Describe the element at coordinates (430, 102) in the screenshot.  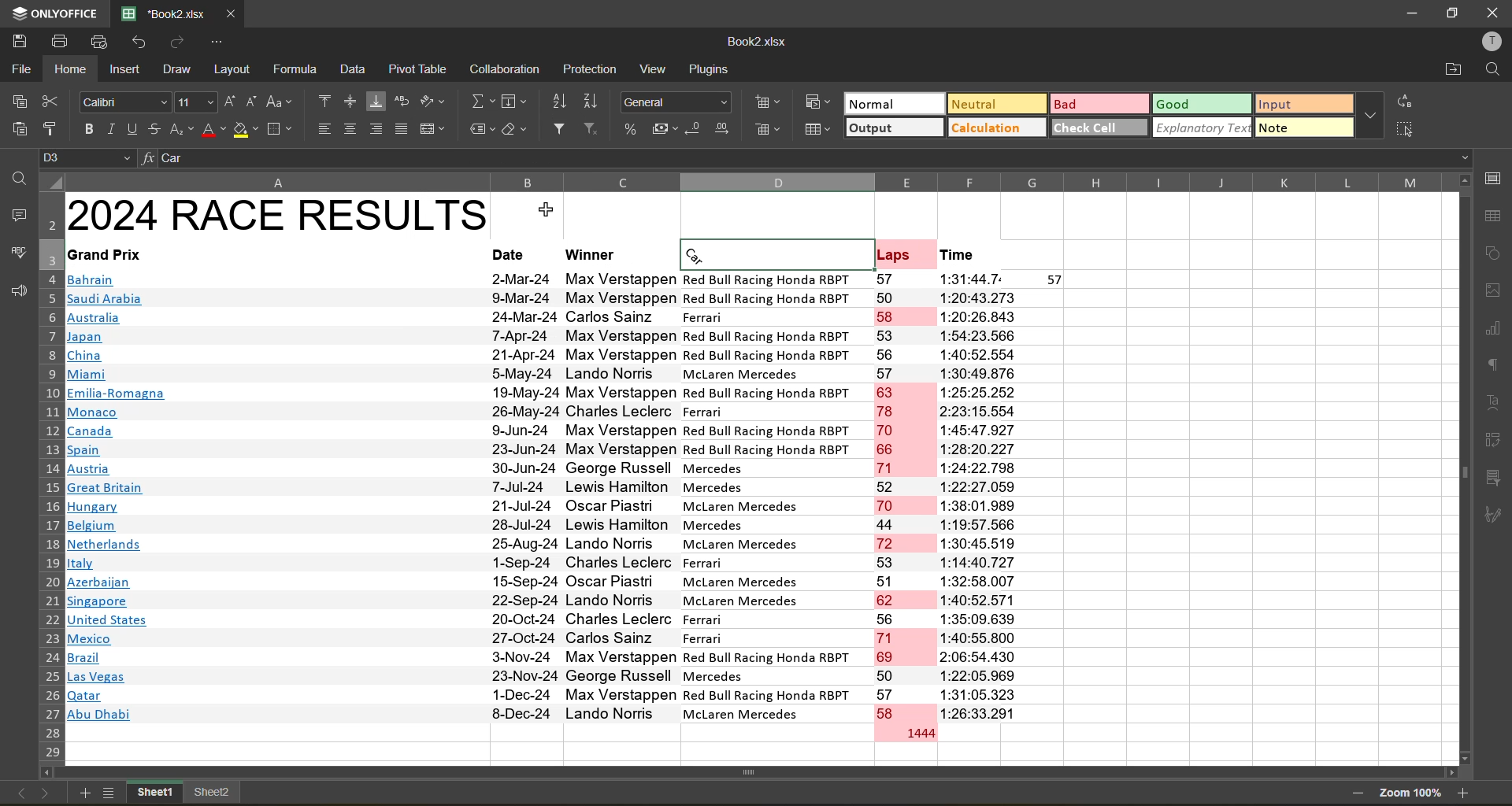
I see `orientation` at that location.